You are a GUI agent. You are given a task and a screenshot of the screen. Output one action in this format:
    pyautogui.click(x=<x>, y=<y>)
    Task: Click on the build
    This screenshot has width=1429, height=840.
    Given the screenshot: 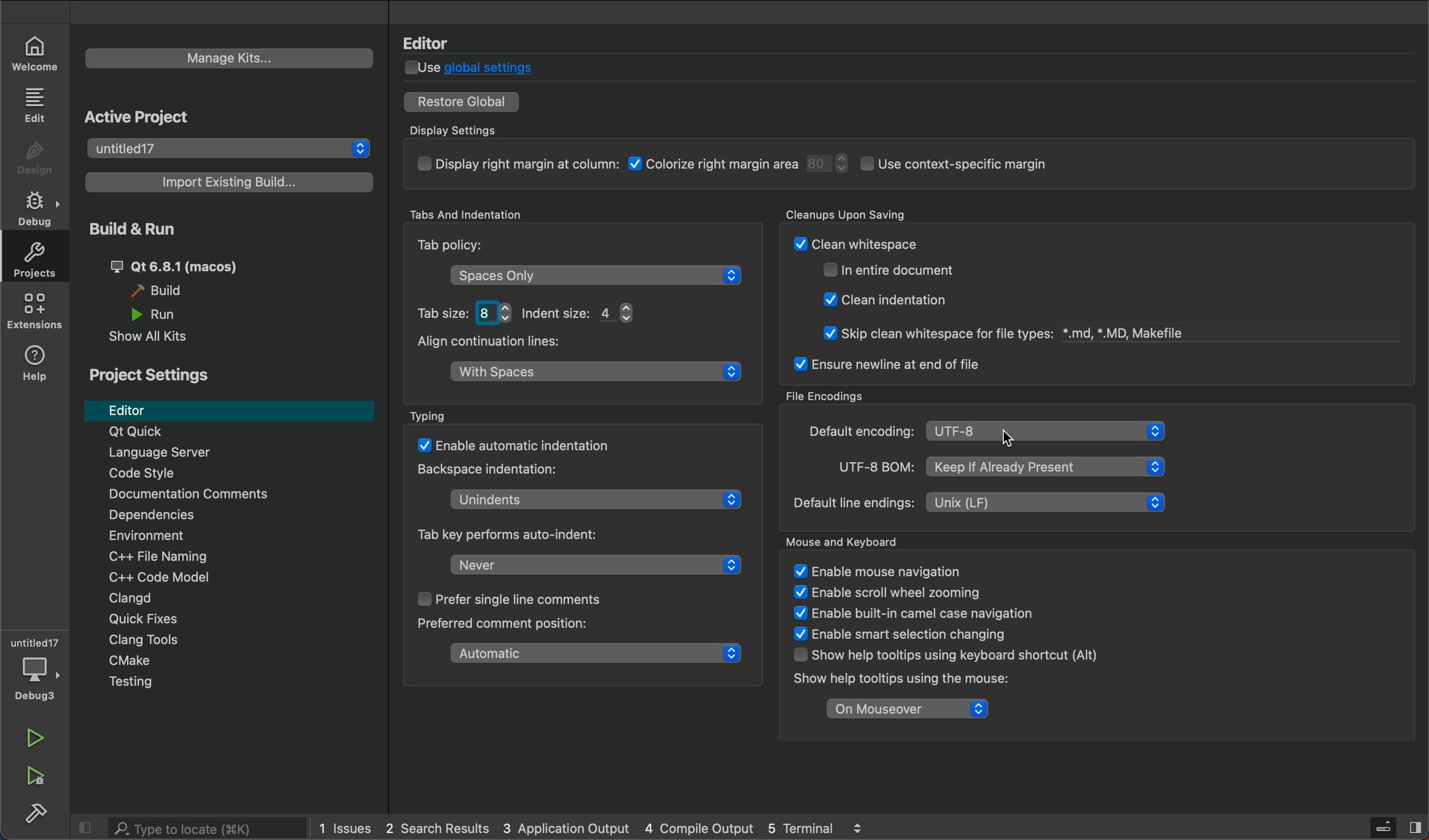 What is the action you would take?
    pyautogui.click(x=40, y=813)
    